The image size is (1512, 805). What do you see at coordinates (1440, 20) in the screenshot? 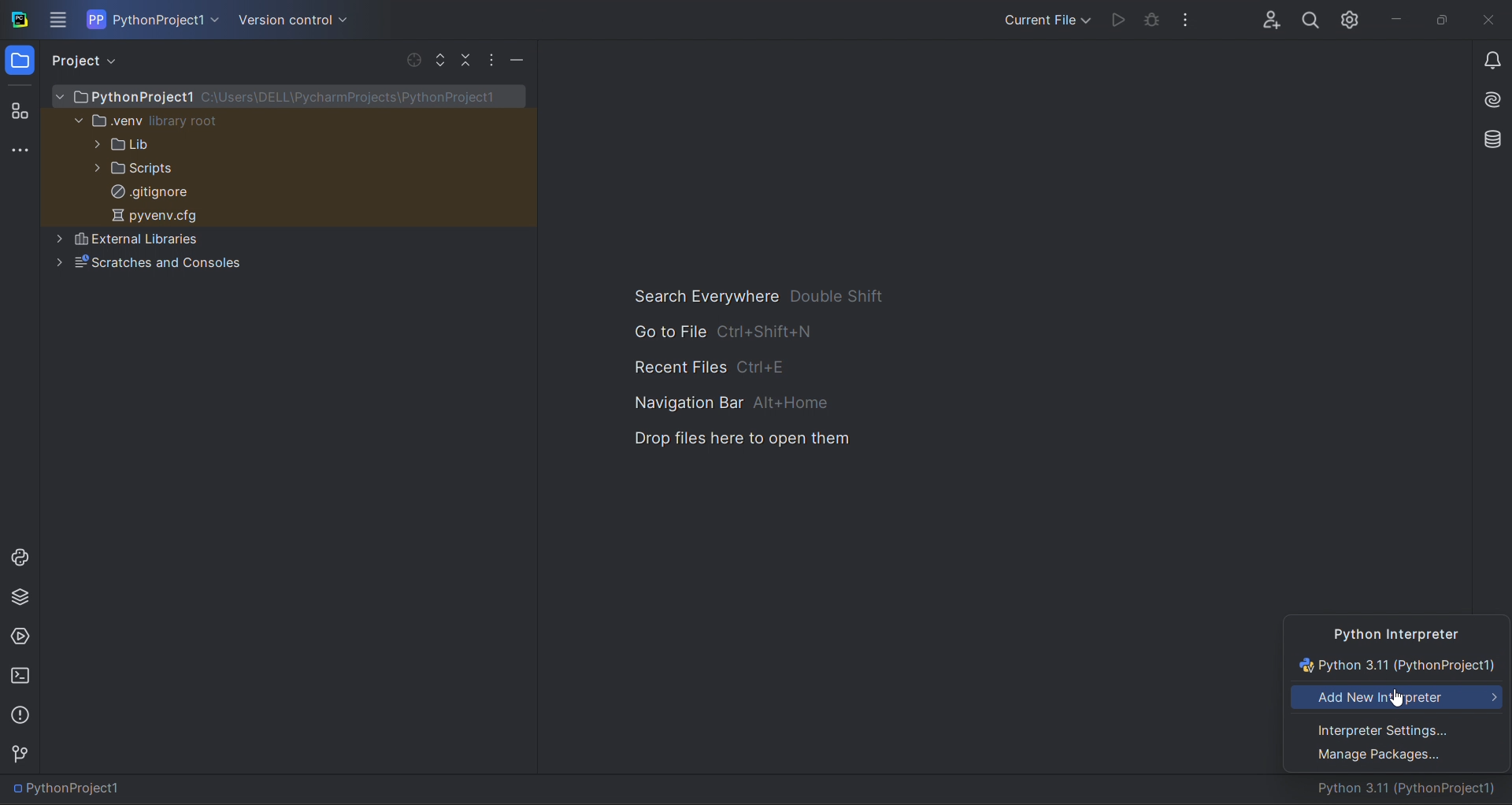
I see `maximize` at bounding box center [1440, 20].